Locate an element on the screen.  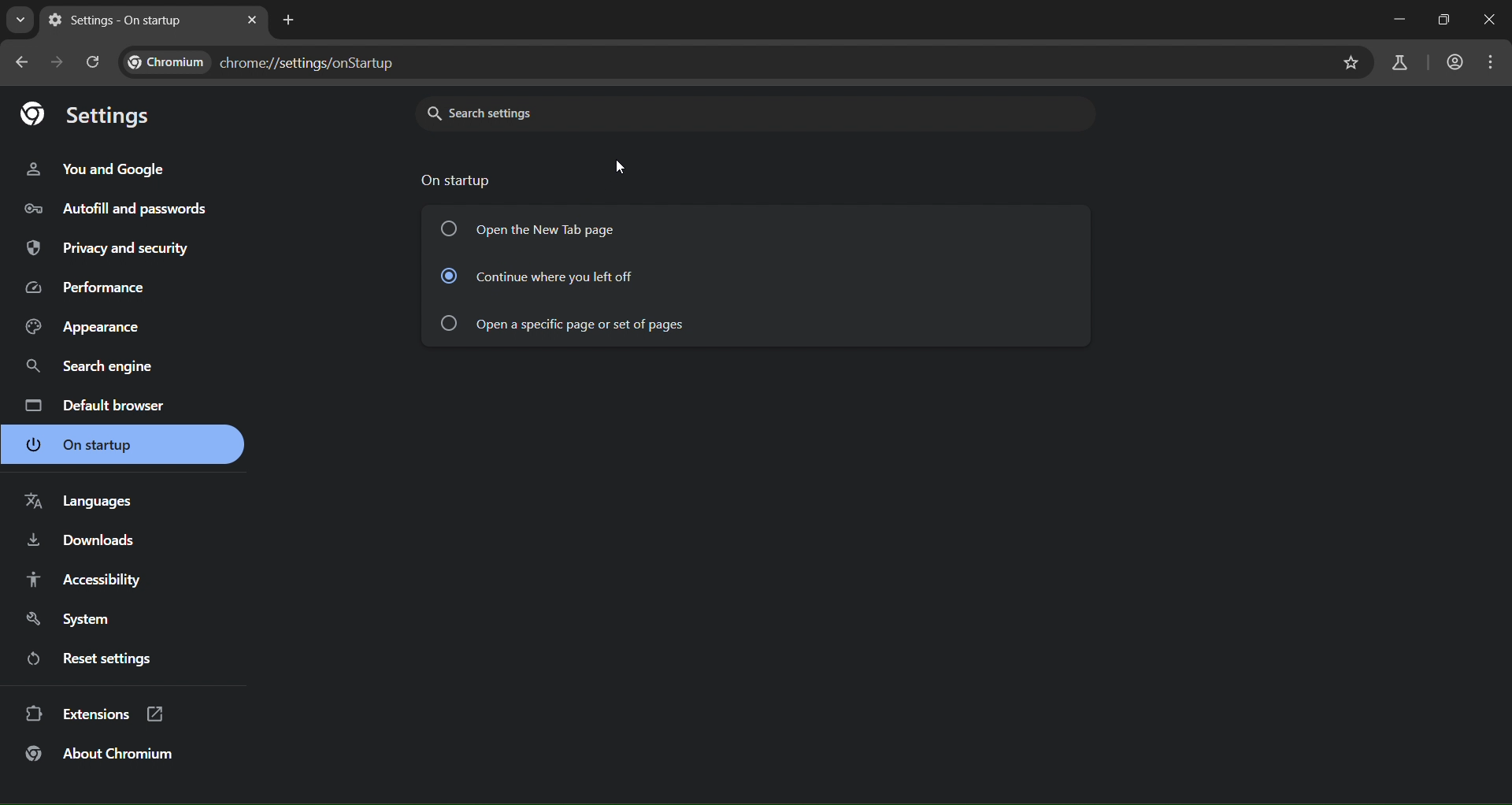
account is located at coordinates (1454, 61).